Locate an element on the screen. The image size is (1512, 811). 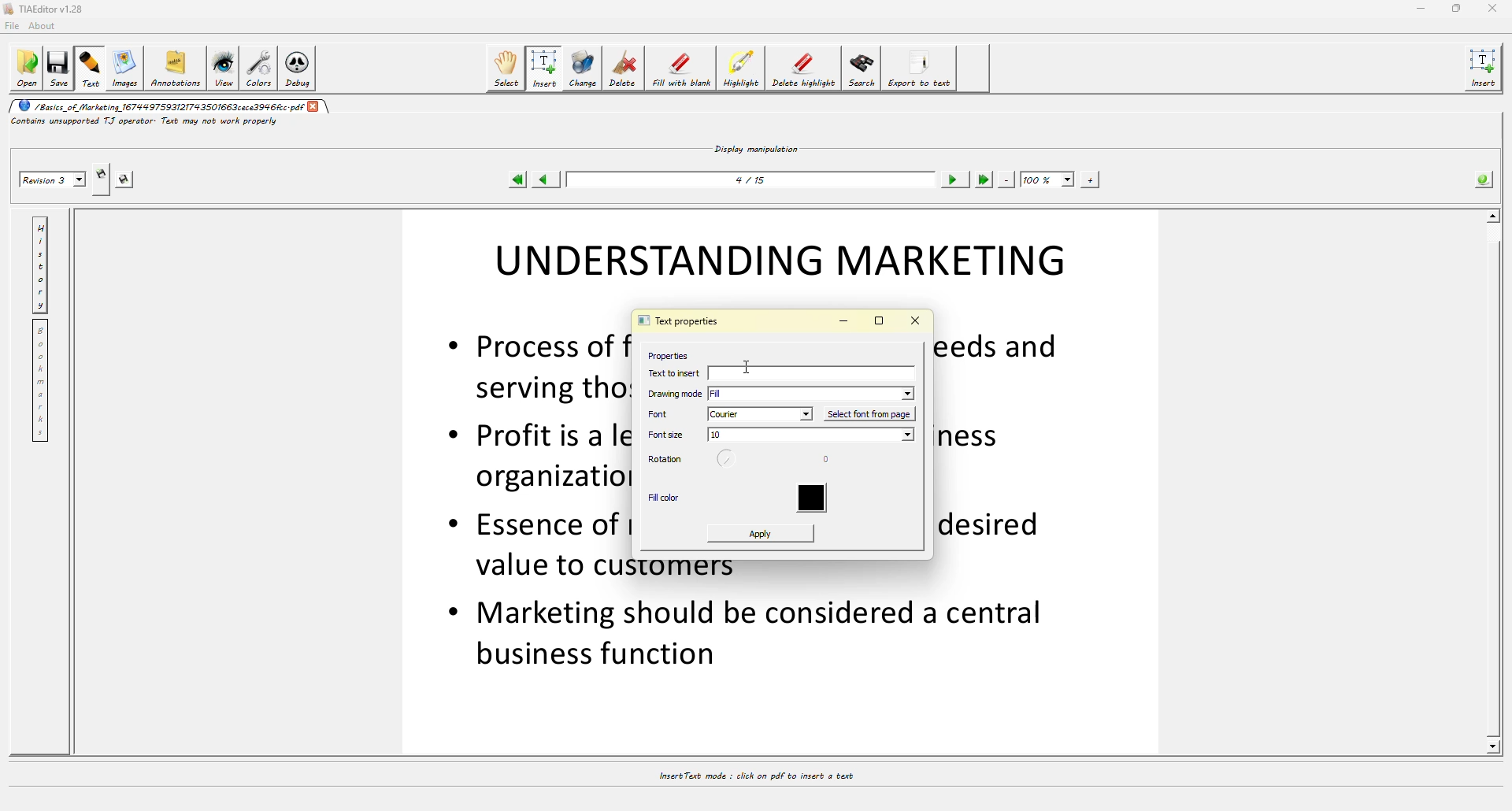
100% is located at coordinates (1047, 179).